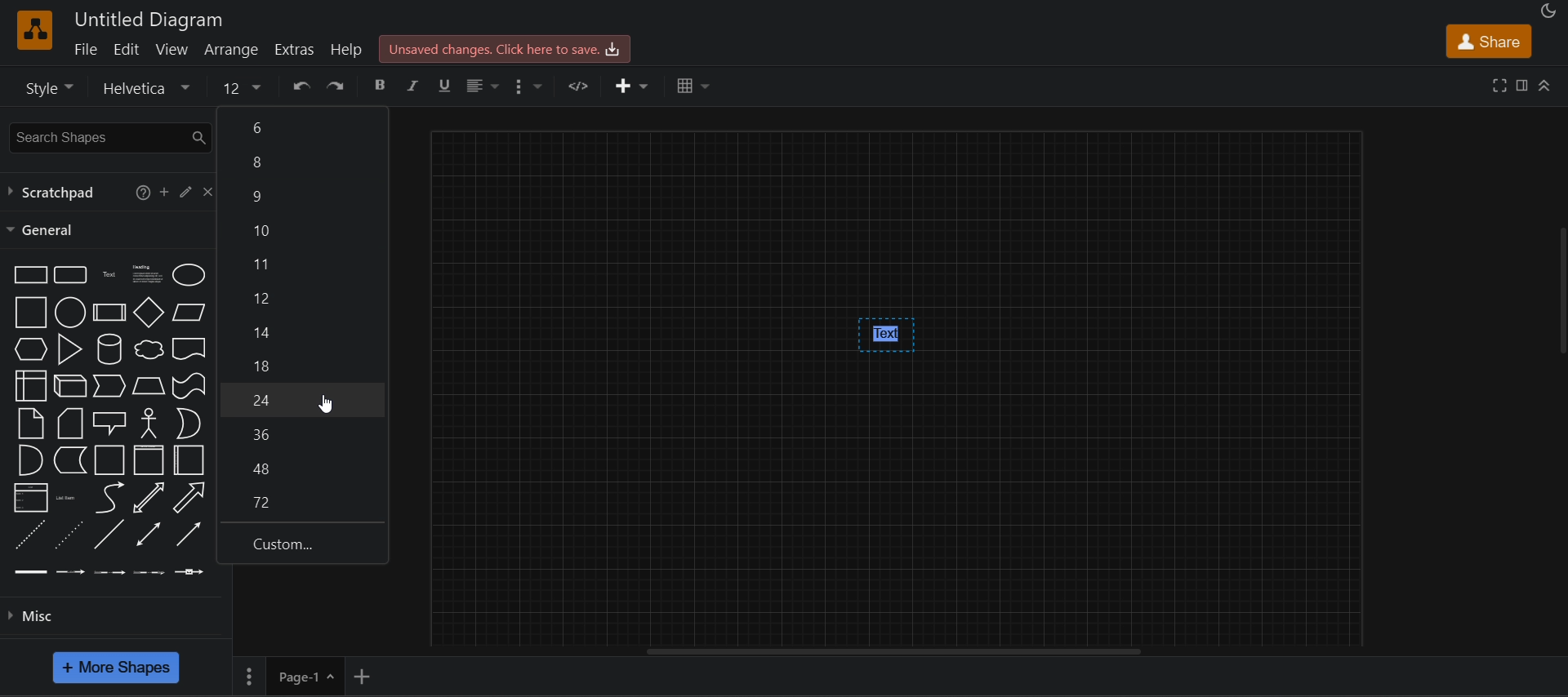 The image size is (1568, 697). What do you see at coordinates (149, 20) in the screenshot?
I see `Untitled diagram` at bounding box center [149, 20].